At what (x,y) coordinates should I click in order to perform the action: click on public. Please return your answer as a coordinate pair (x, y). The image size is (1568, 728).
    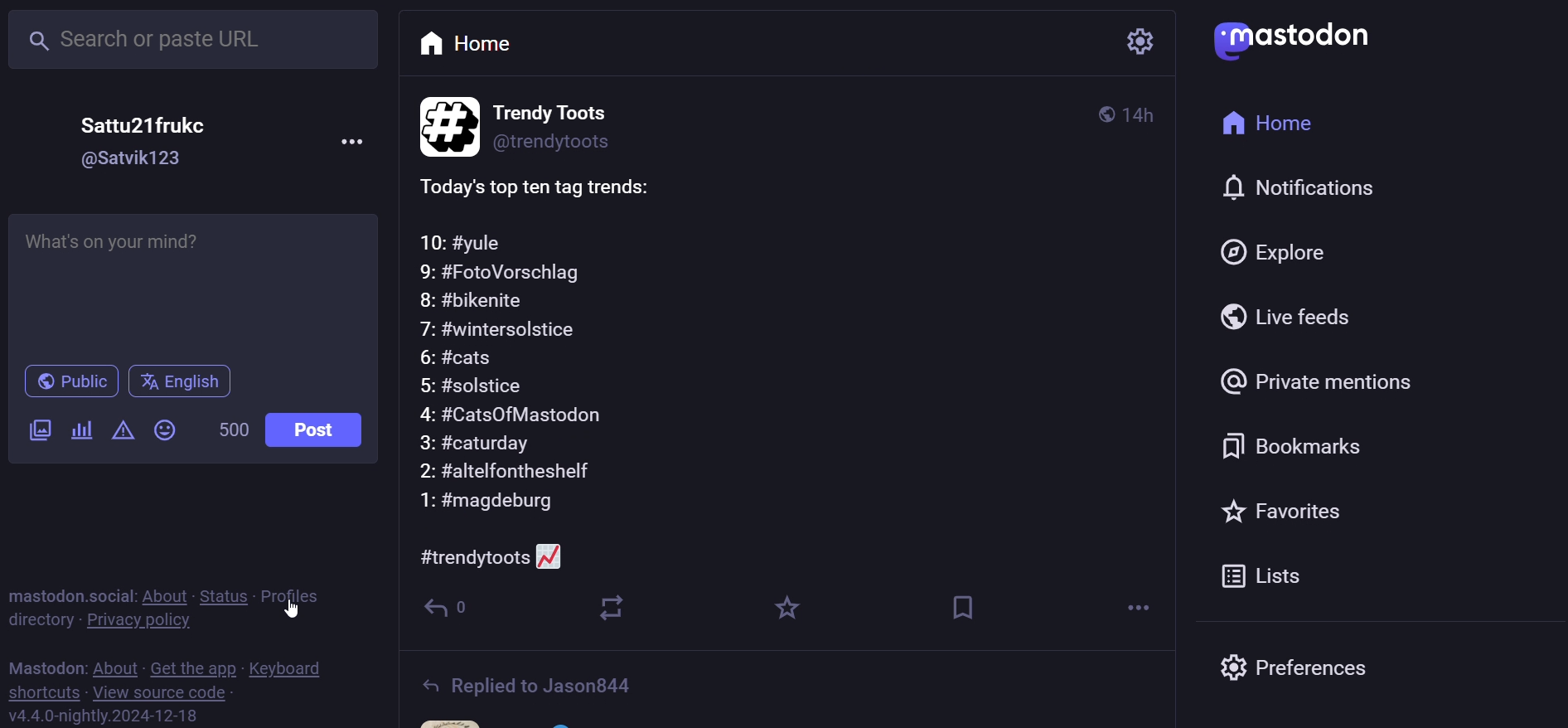
    Looking at the image, I should click on (1096, 114).